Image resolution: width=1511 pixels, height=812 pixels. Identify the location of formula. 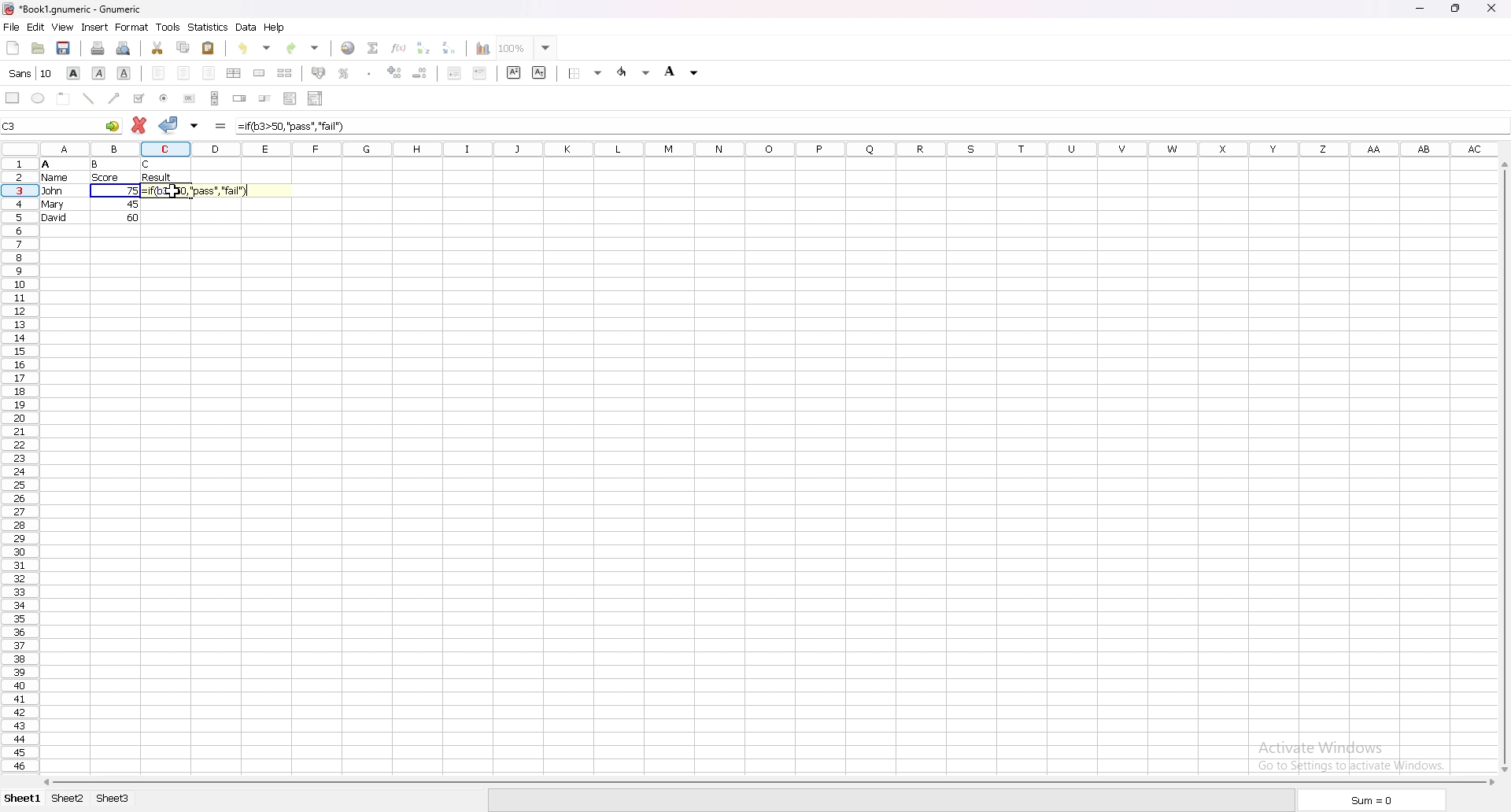
(222, 127).